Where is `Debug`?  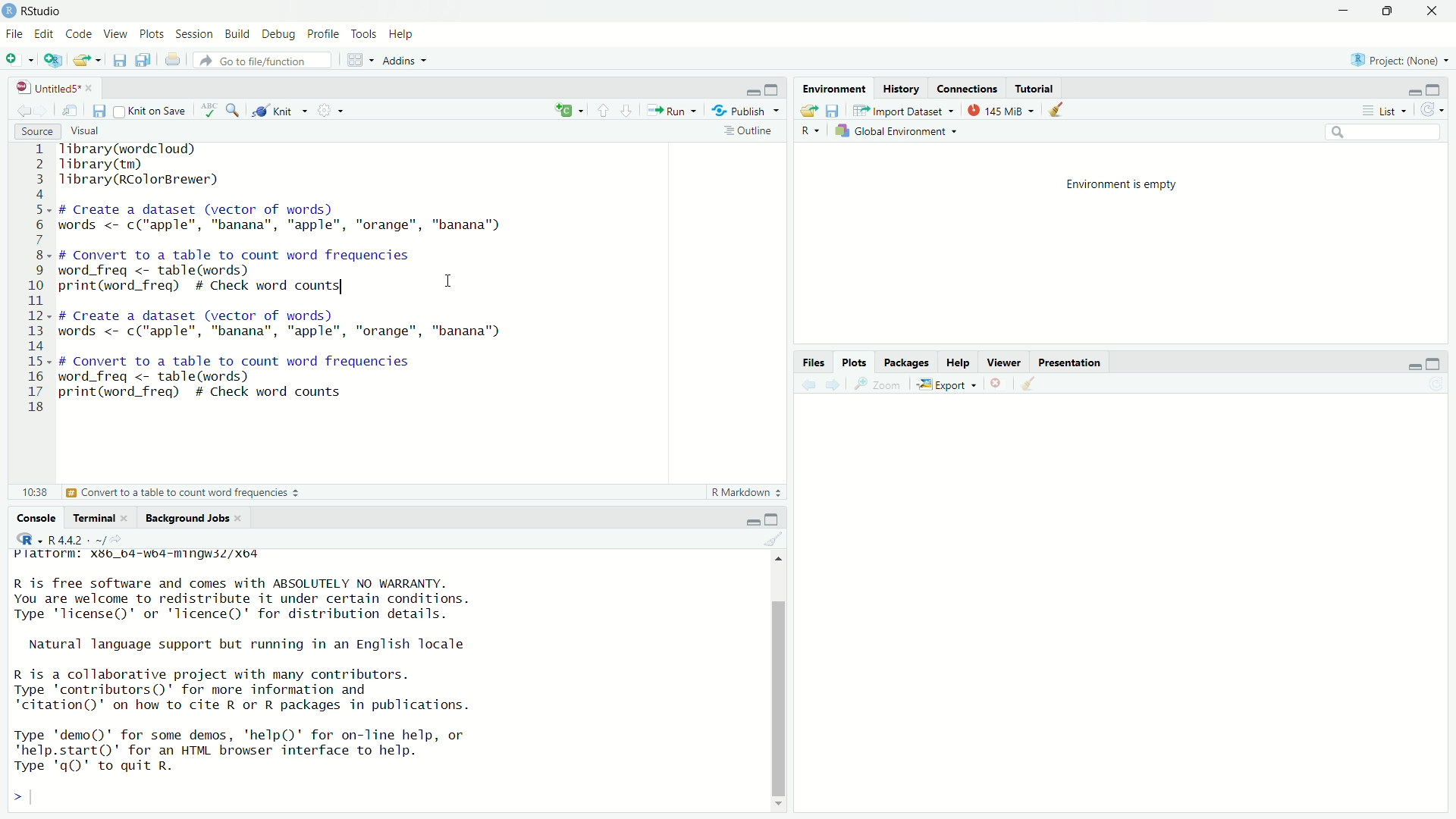 Debug is located at coordinates (278, 36).